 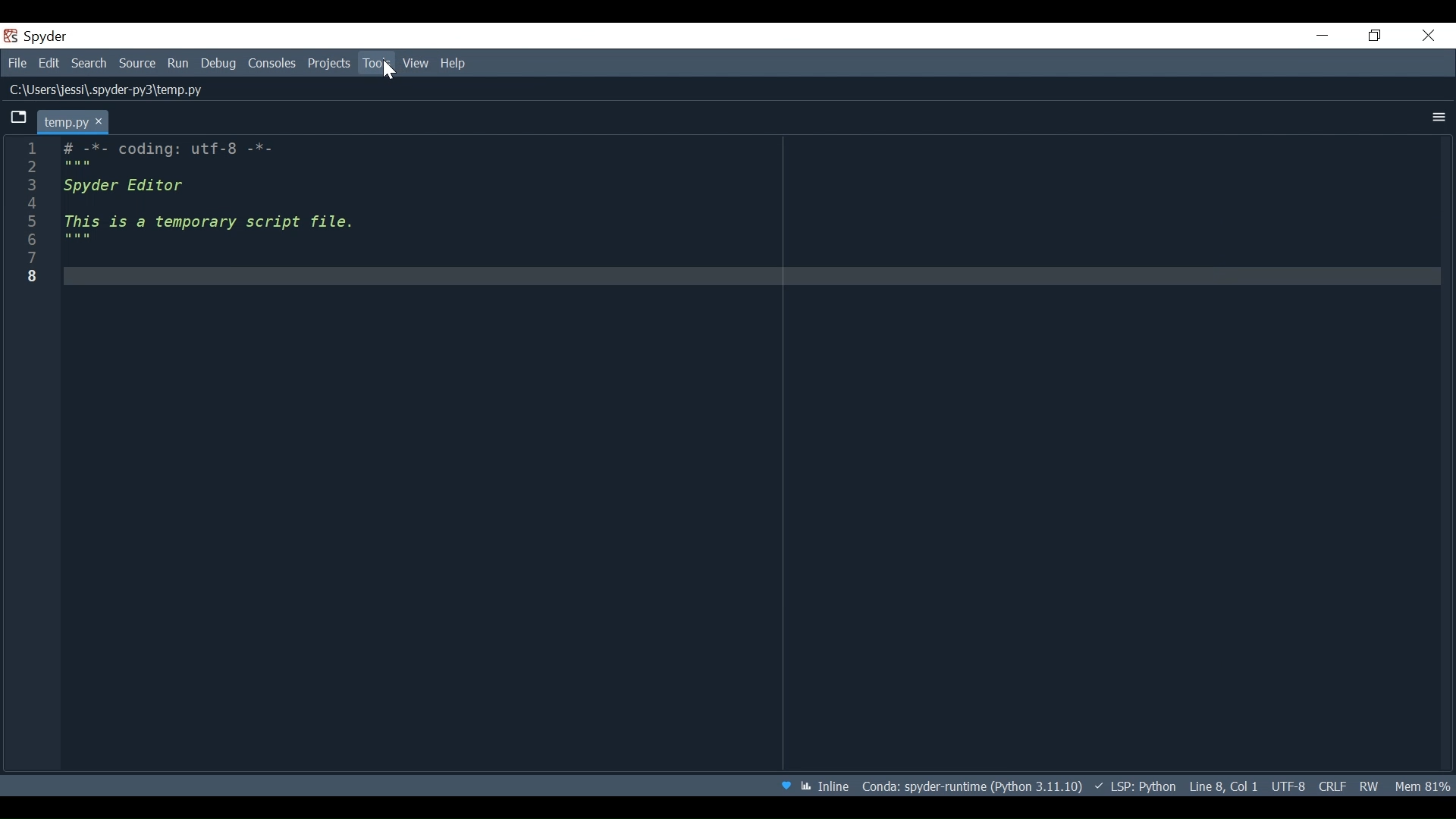 I want to click on Source, so click(x=138, y=64).